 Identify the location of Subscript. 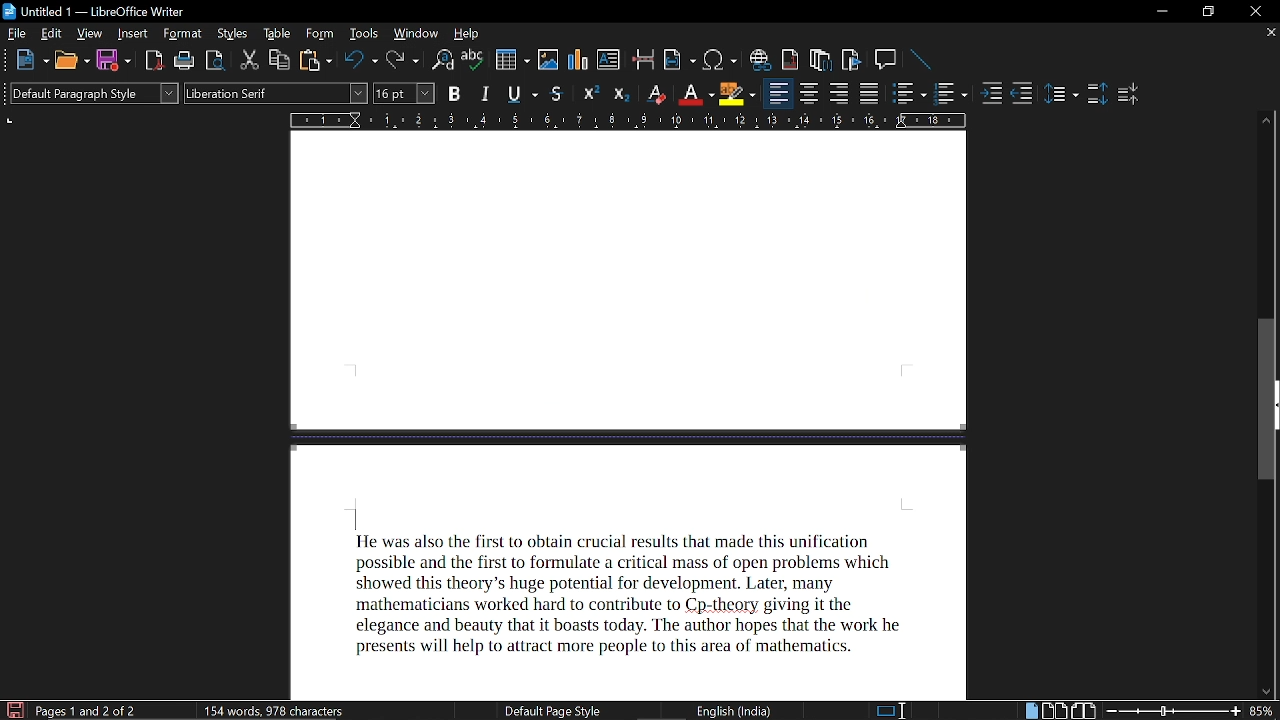
(620, 93).